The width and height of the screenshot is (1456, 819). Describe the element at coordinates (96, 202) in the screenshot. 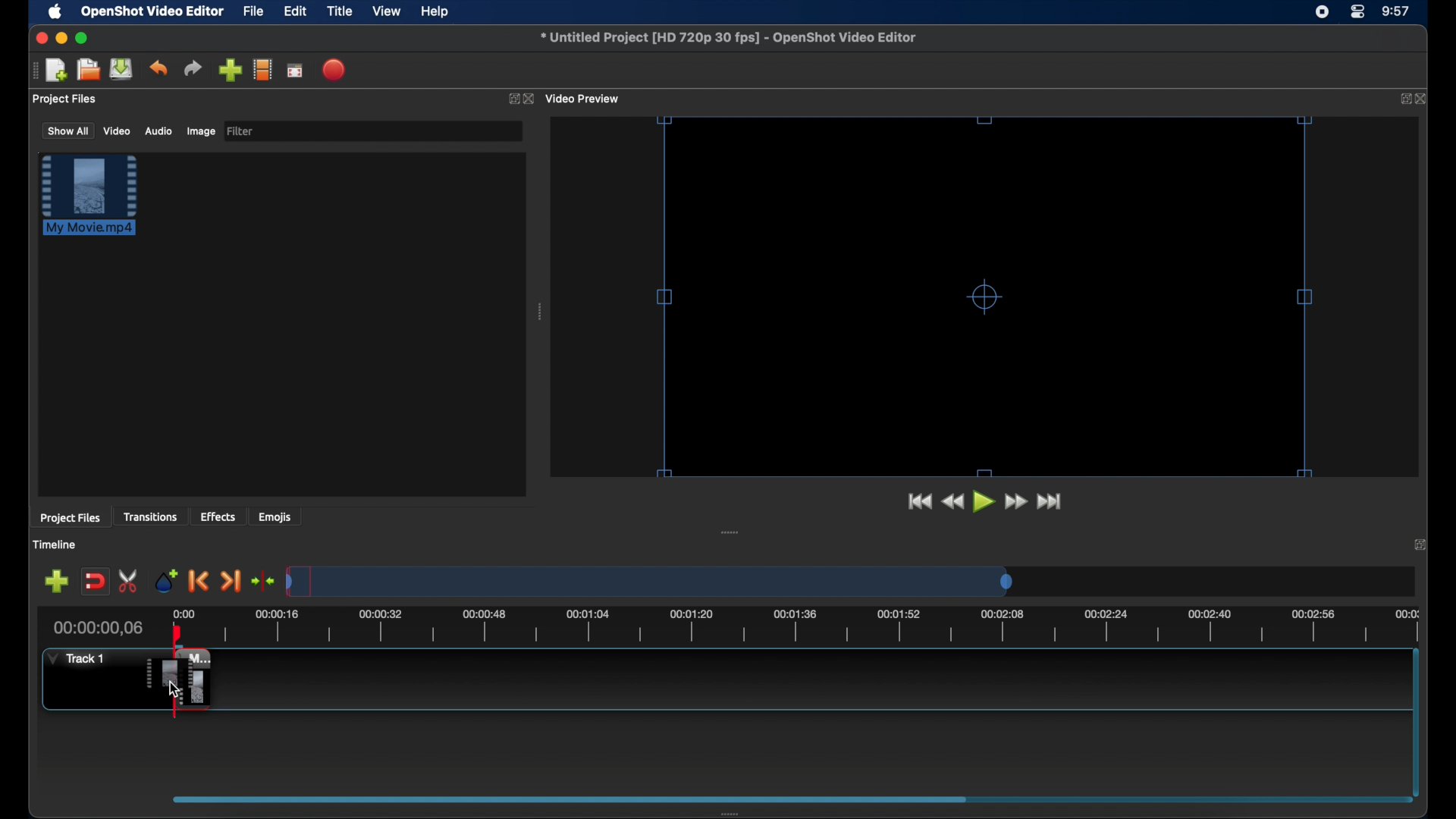

I see `clip highlighted` at that location.